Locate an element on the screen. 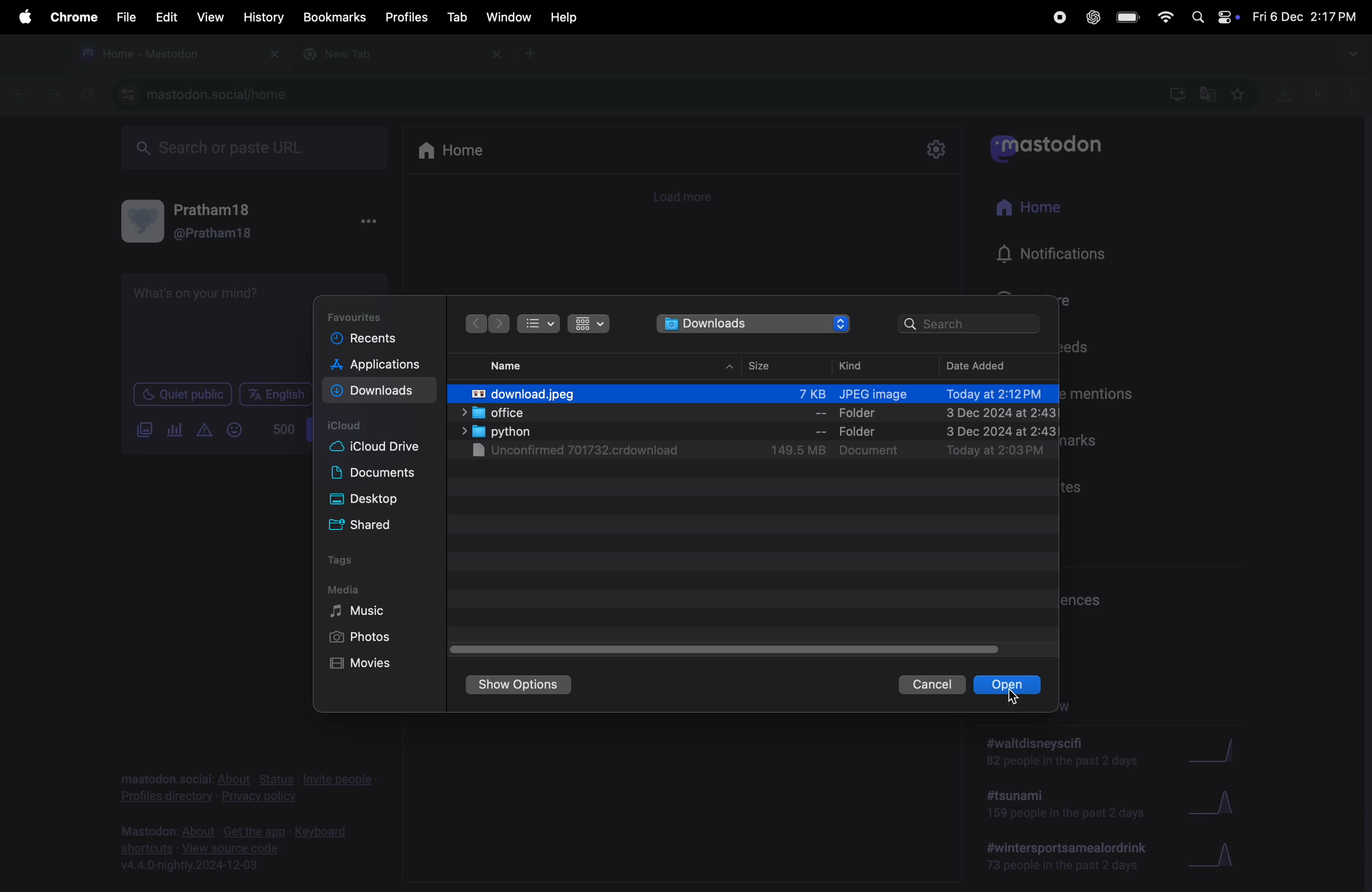 The width and height of the screenshot is (1372, 892). ic loud drive is located at coordinates (376, 448).